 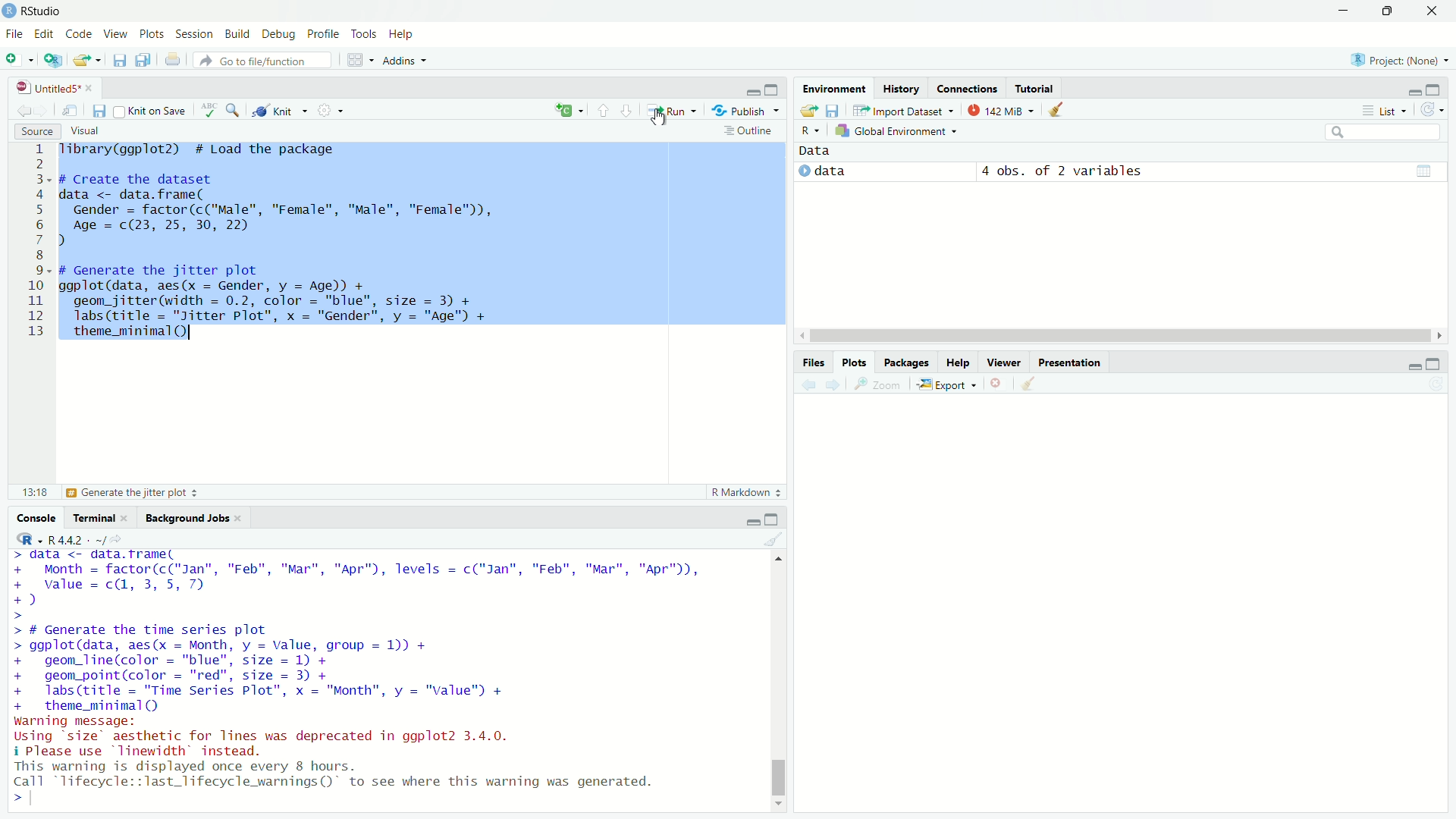 I want to click on maximize, so click(x=775, y=88).